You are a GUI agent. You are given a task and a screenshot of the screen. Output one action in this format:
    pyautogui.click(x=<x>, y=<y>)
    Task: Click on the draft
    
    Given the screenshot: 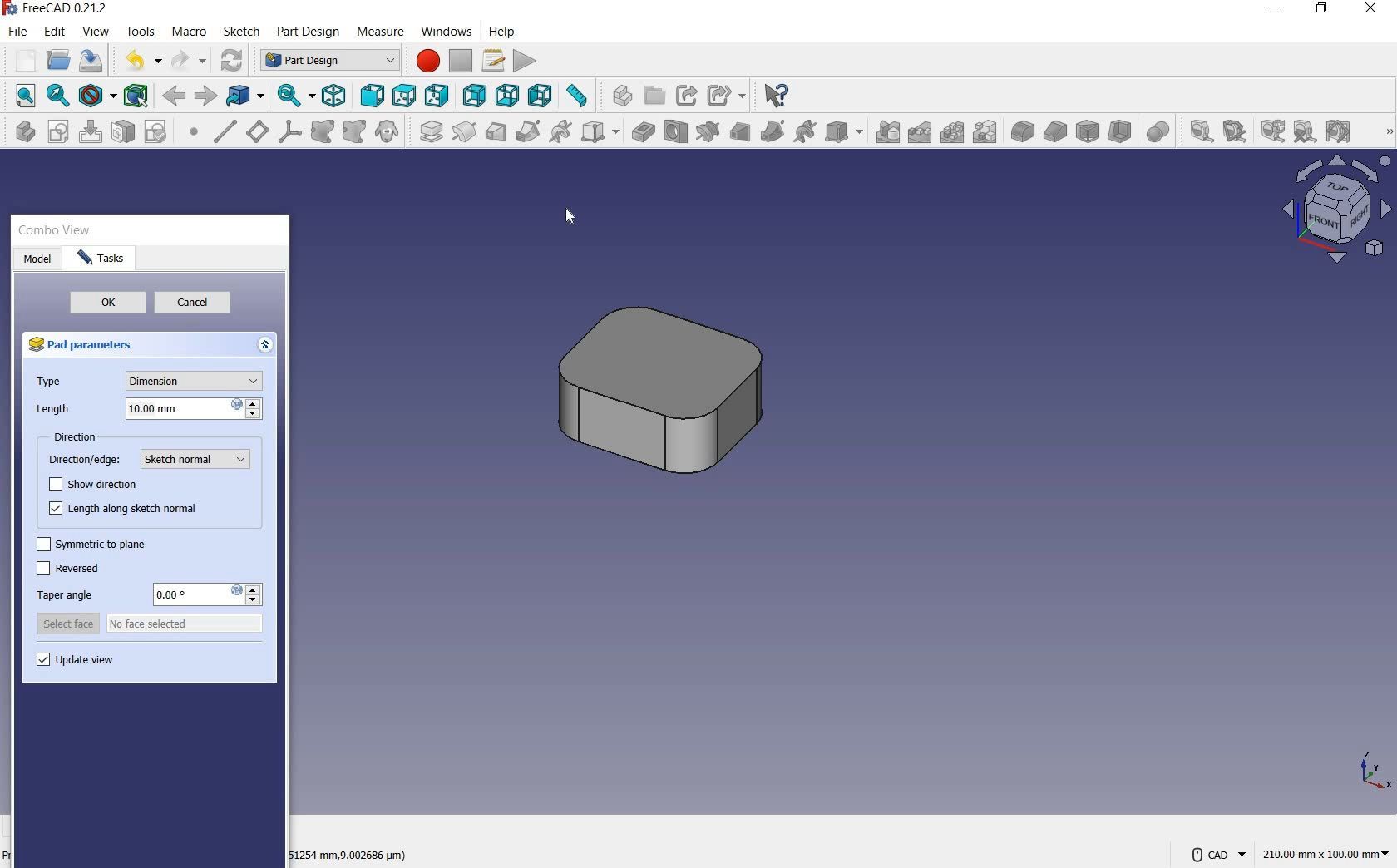 What is the action you would take?
    pyautogui.click(x=1087, y=130)
    